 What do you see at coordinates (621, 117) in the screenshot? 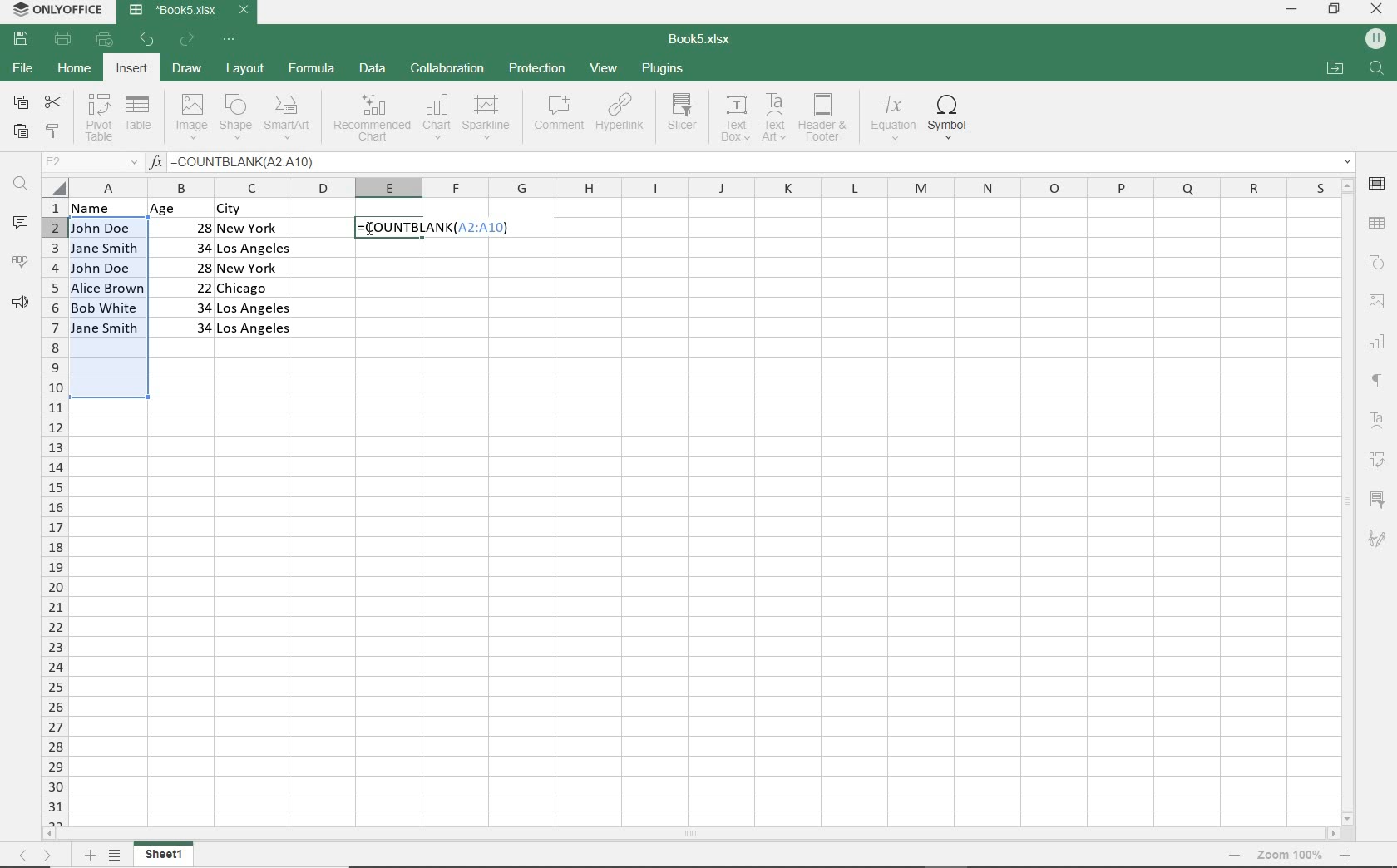
I see `HYPERLINK` at bounding box center [621, 117].